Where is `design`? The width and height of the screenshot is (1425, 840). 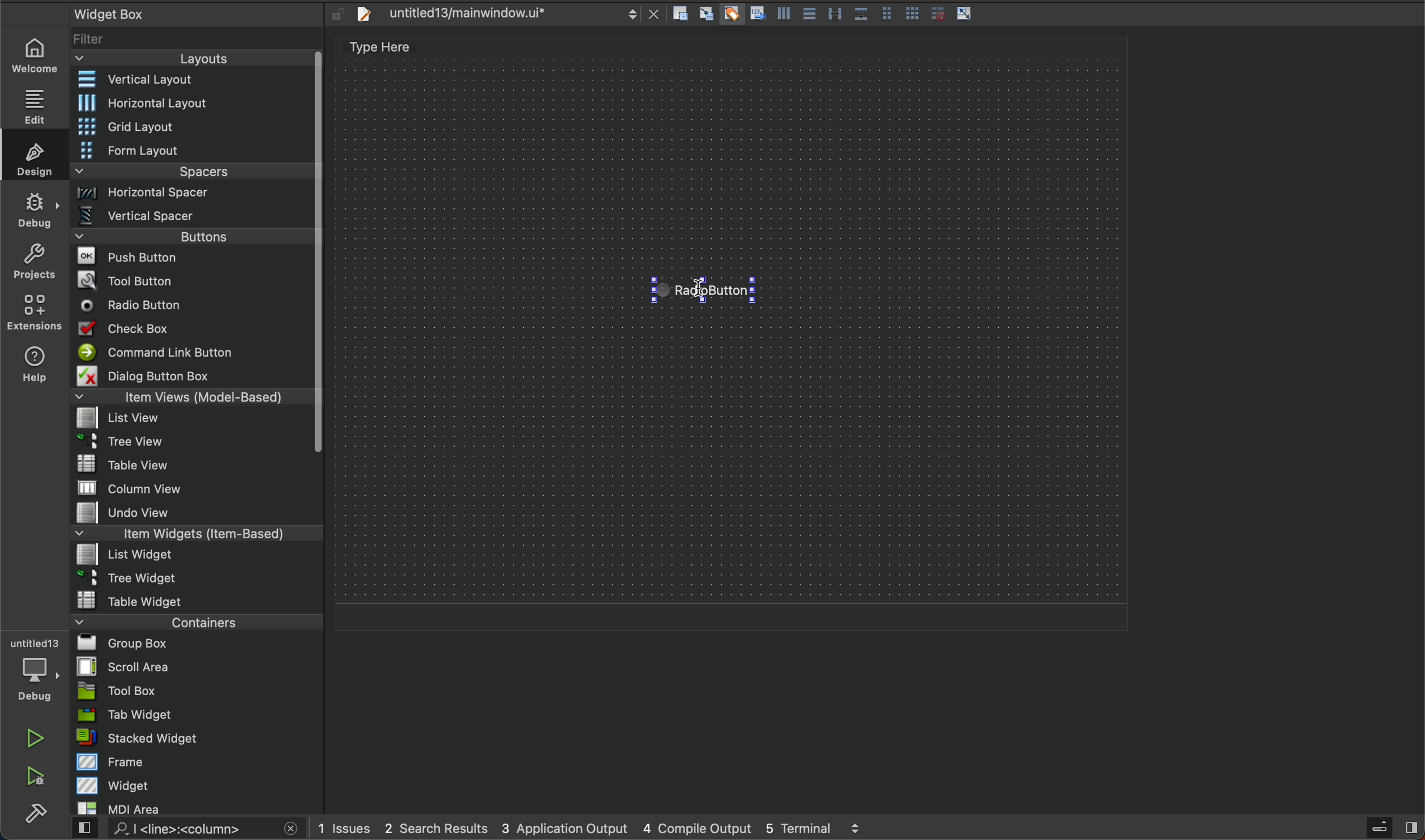
design is located at coordinates (31, 155).